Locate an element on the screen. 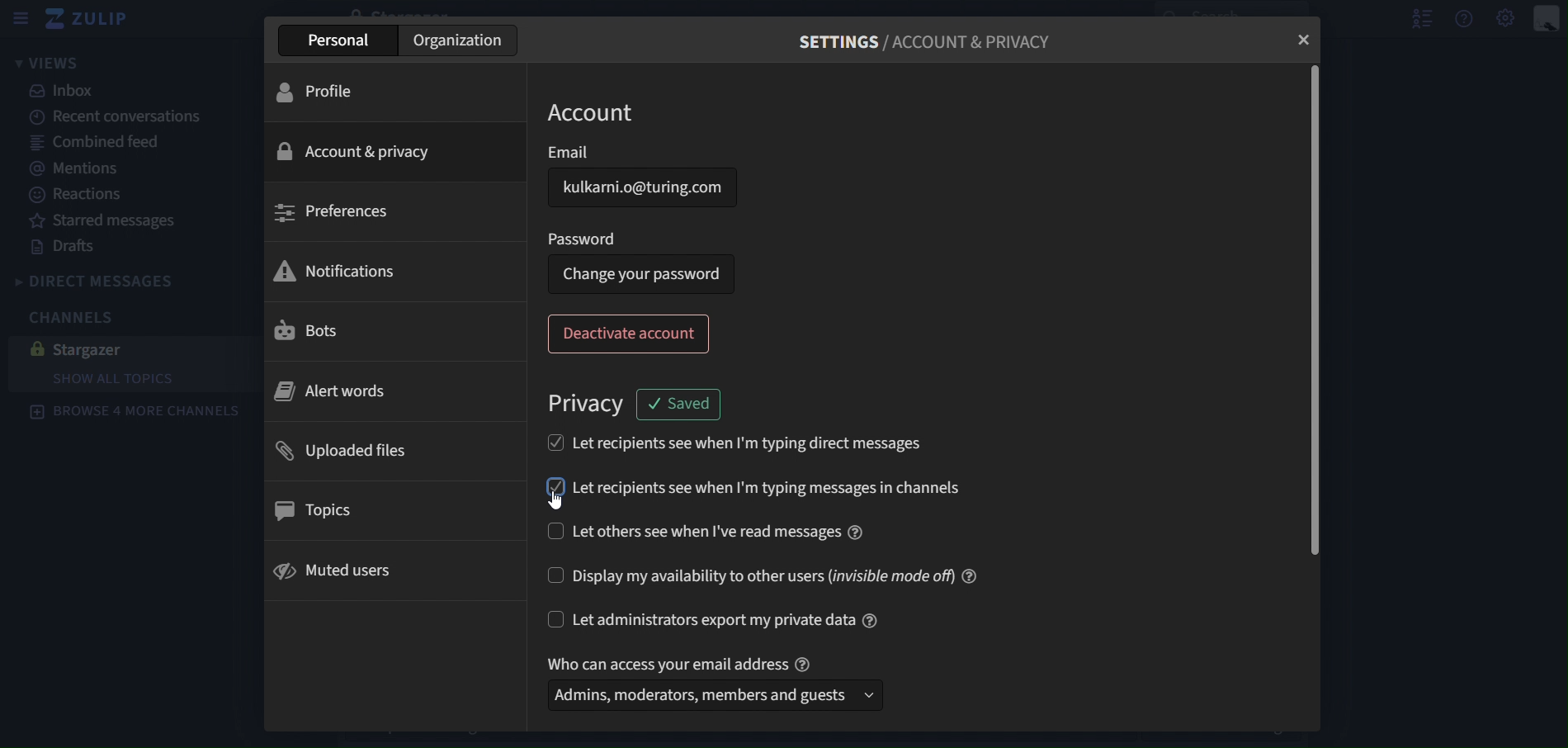 This screenshot has width=1568, height=748. let others see when i've read message is located at coordinates (718, 533).